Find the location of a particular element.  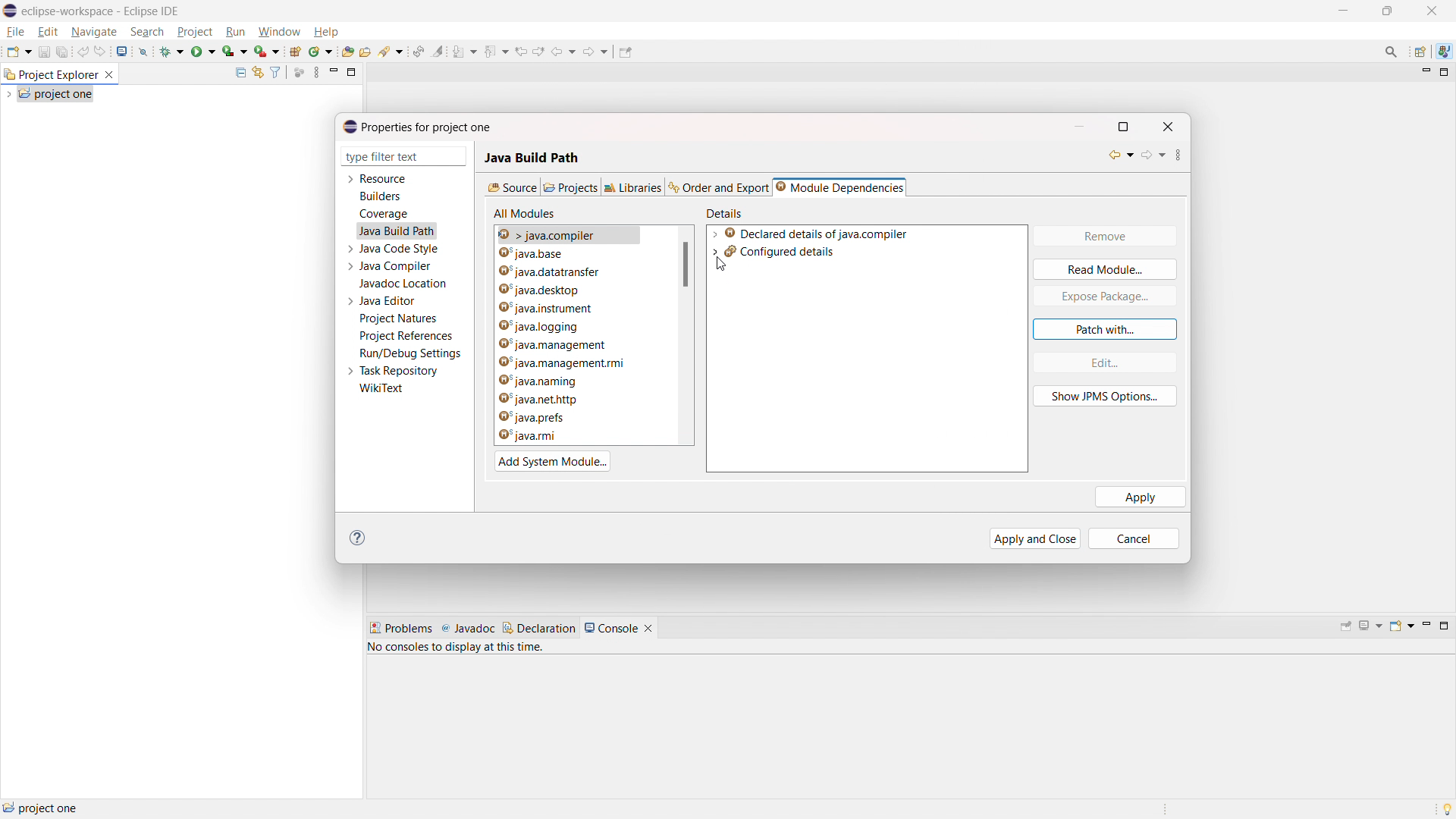

project references is located at coordinates (406, 335).